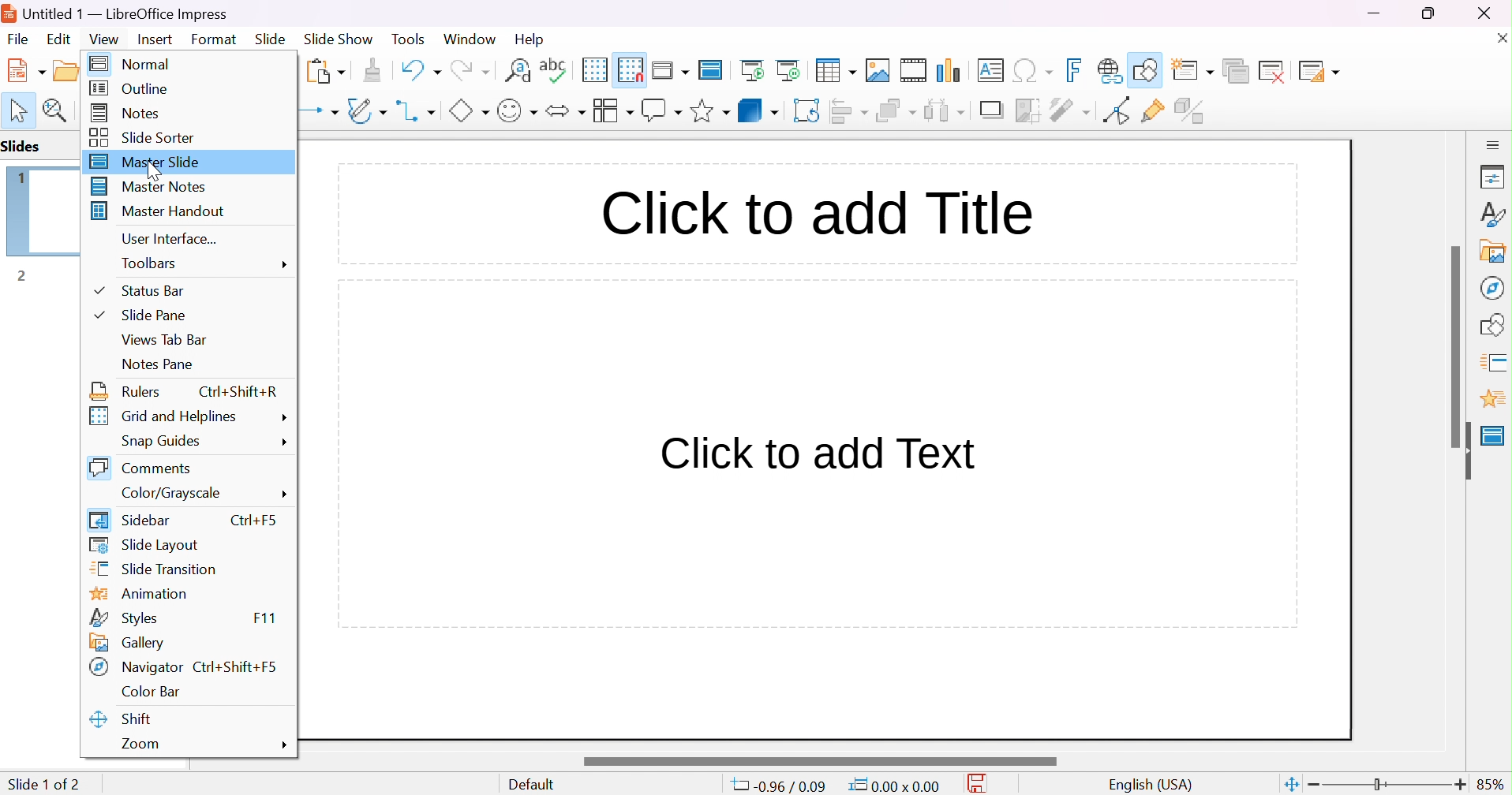 This screenshot has height=795, width=1512. Describe the element at coordinates (116, 12) in the screenshot. I see `untitled 1 - LibreOffice Impress` at that location.